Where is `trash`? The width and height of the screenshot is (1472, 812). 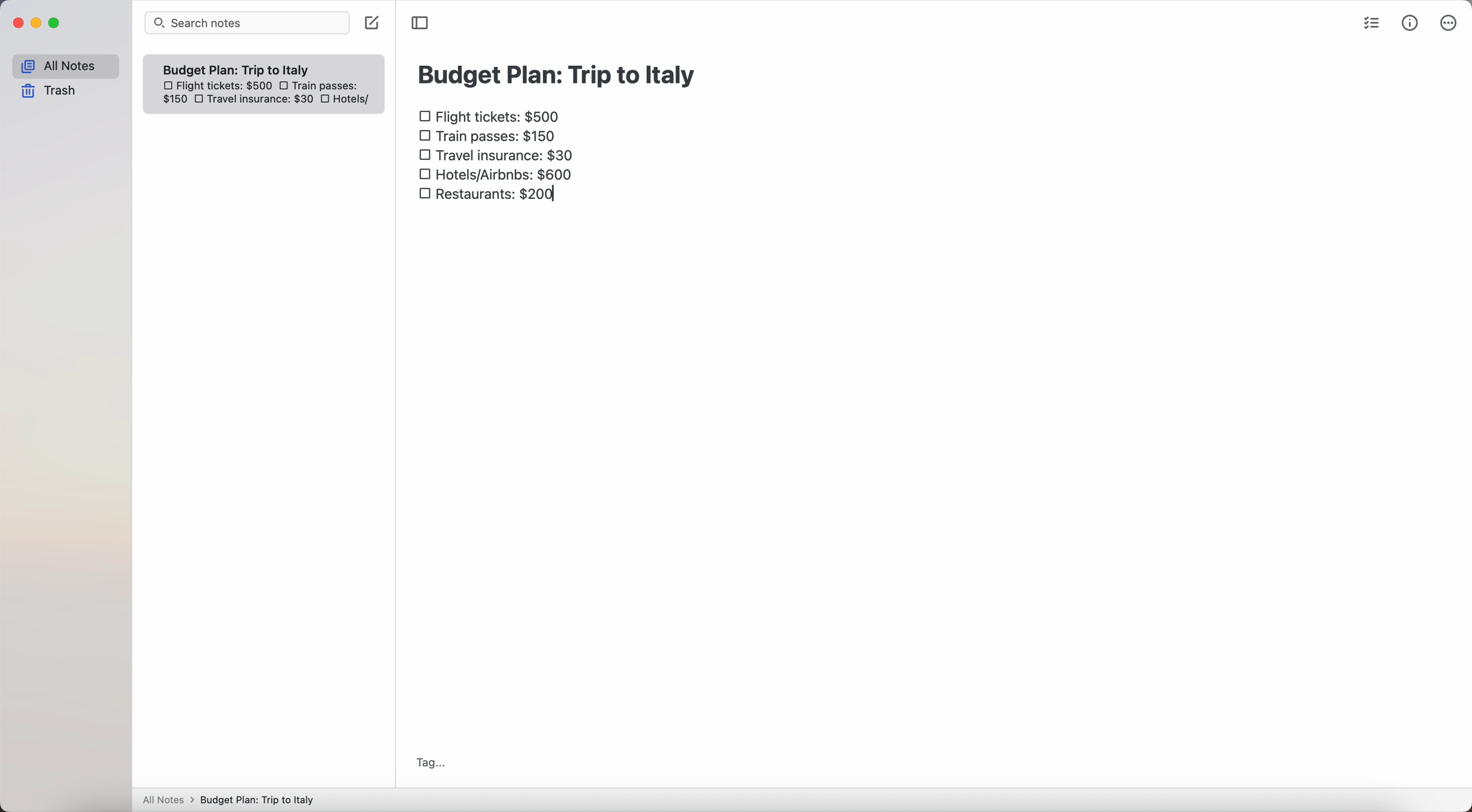
trash is located at coordinates (49, 91).